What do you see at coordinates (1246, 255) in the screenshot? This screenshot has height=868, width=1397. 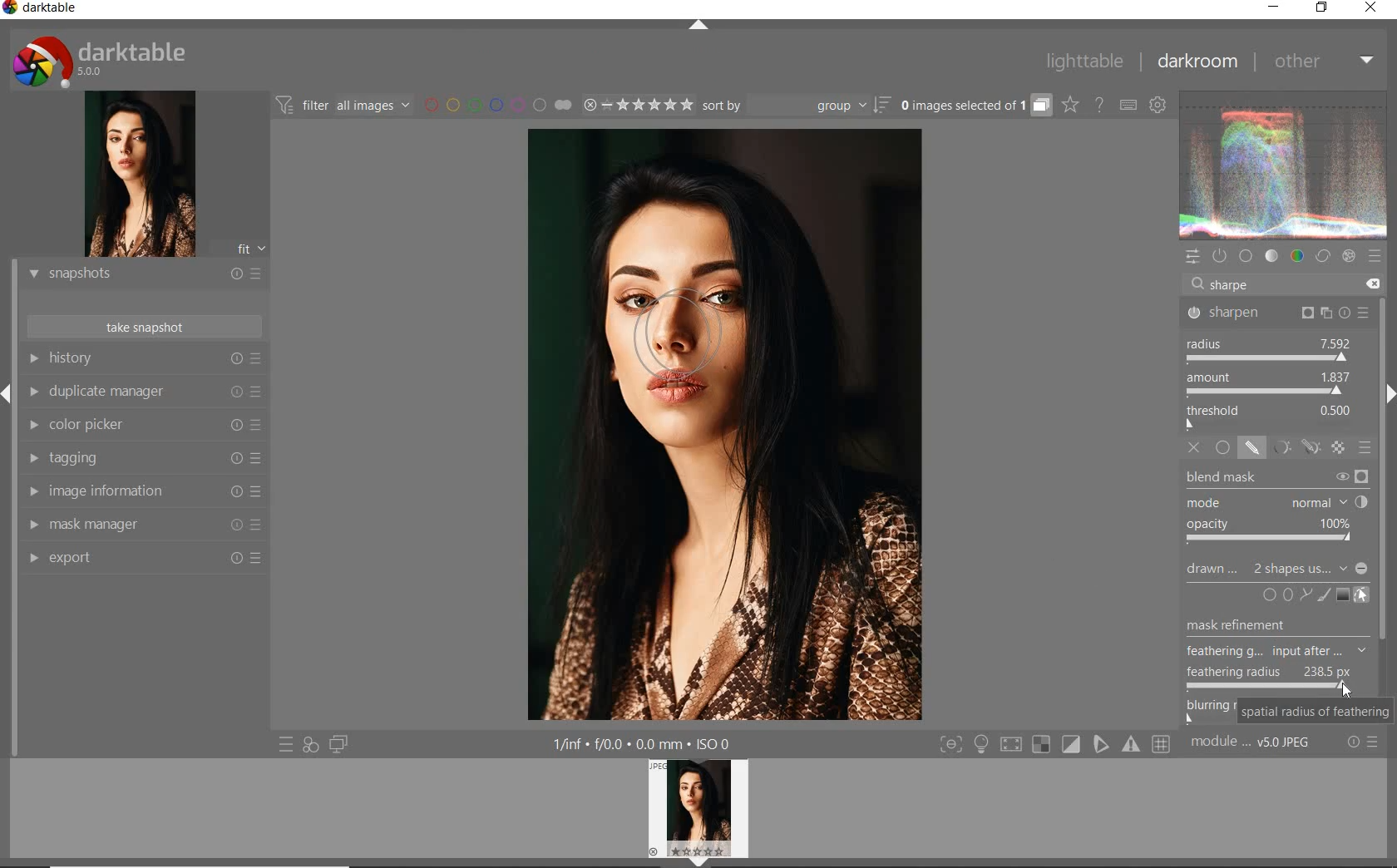 I see `base` at bounding box center [1246, 255].